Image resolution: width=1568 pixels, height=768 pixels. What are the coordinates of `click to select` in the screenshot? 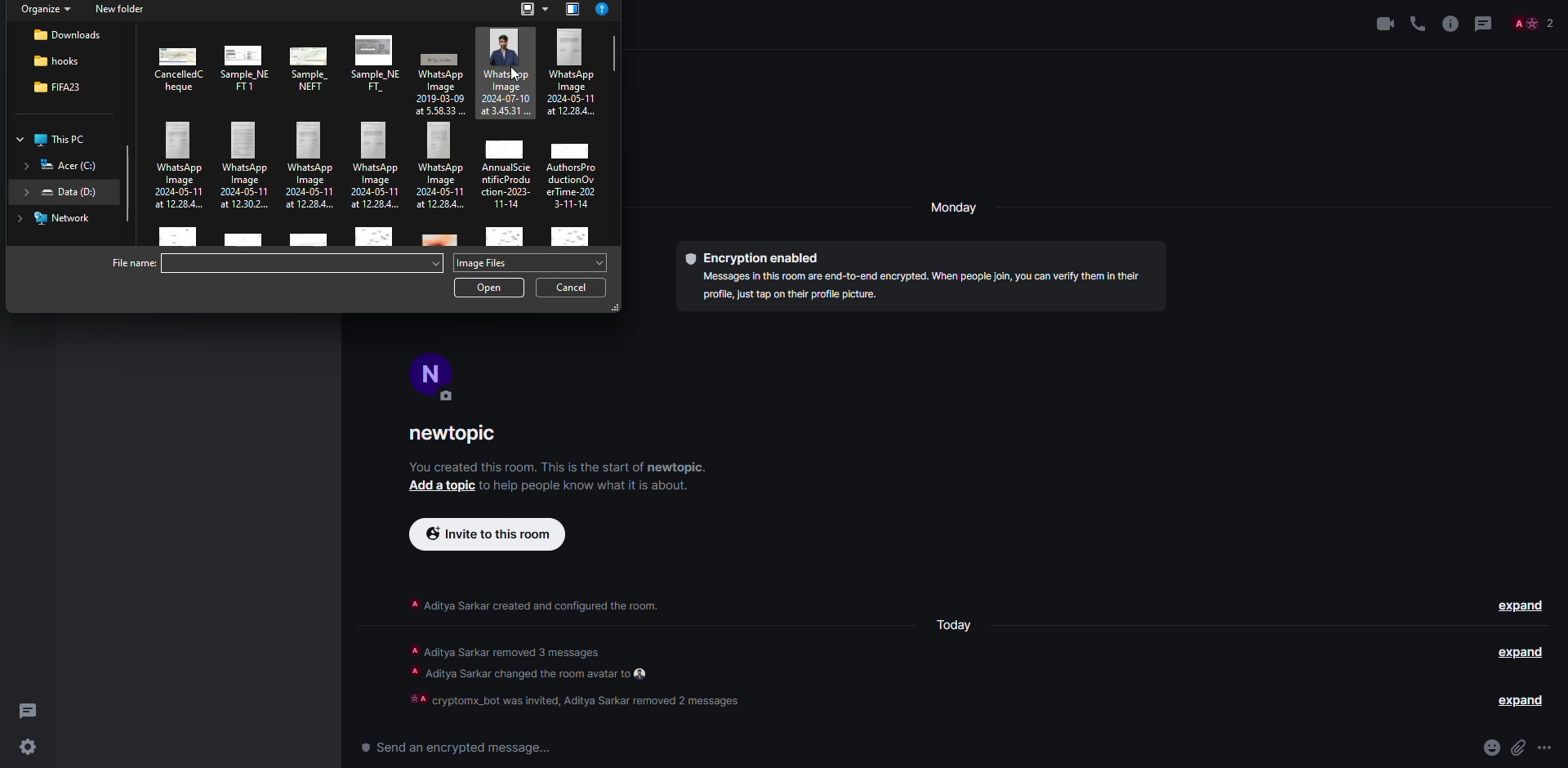 It's located at (506, 72).